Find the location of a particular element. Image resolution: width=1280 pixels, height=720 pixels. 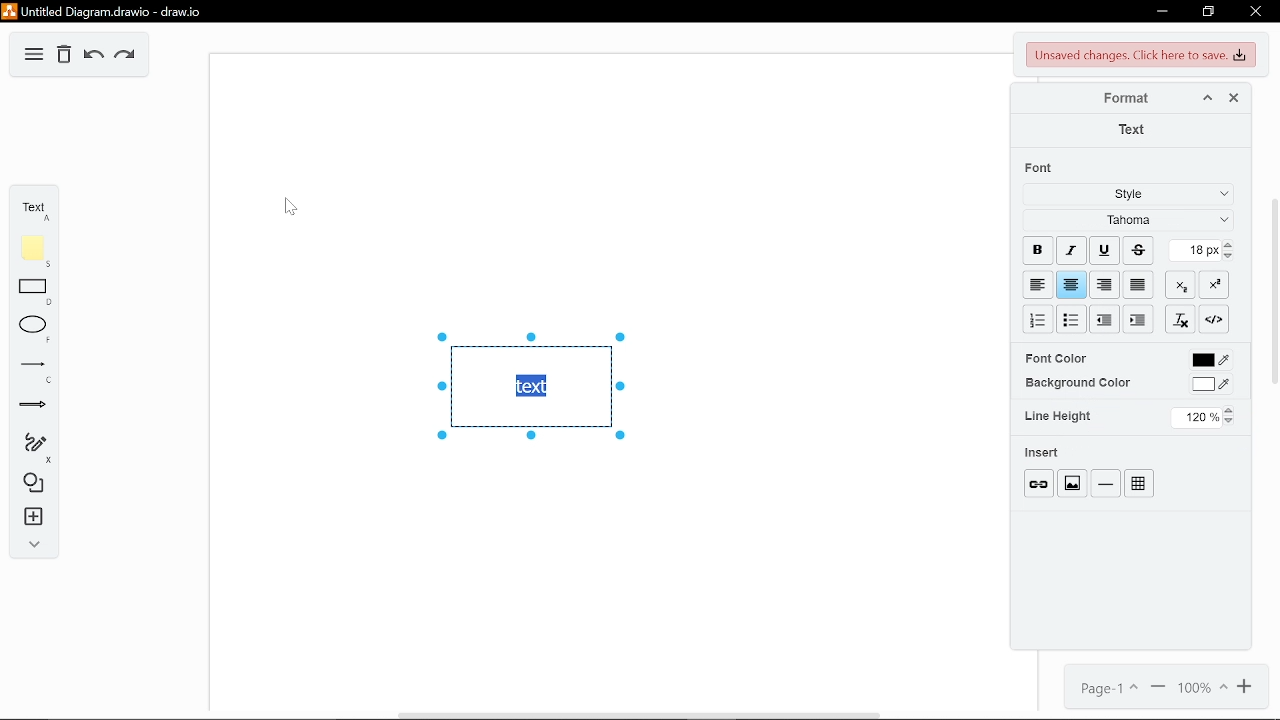

close is located at coordinates (1230, 98).